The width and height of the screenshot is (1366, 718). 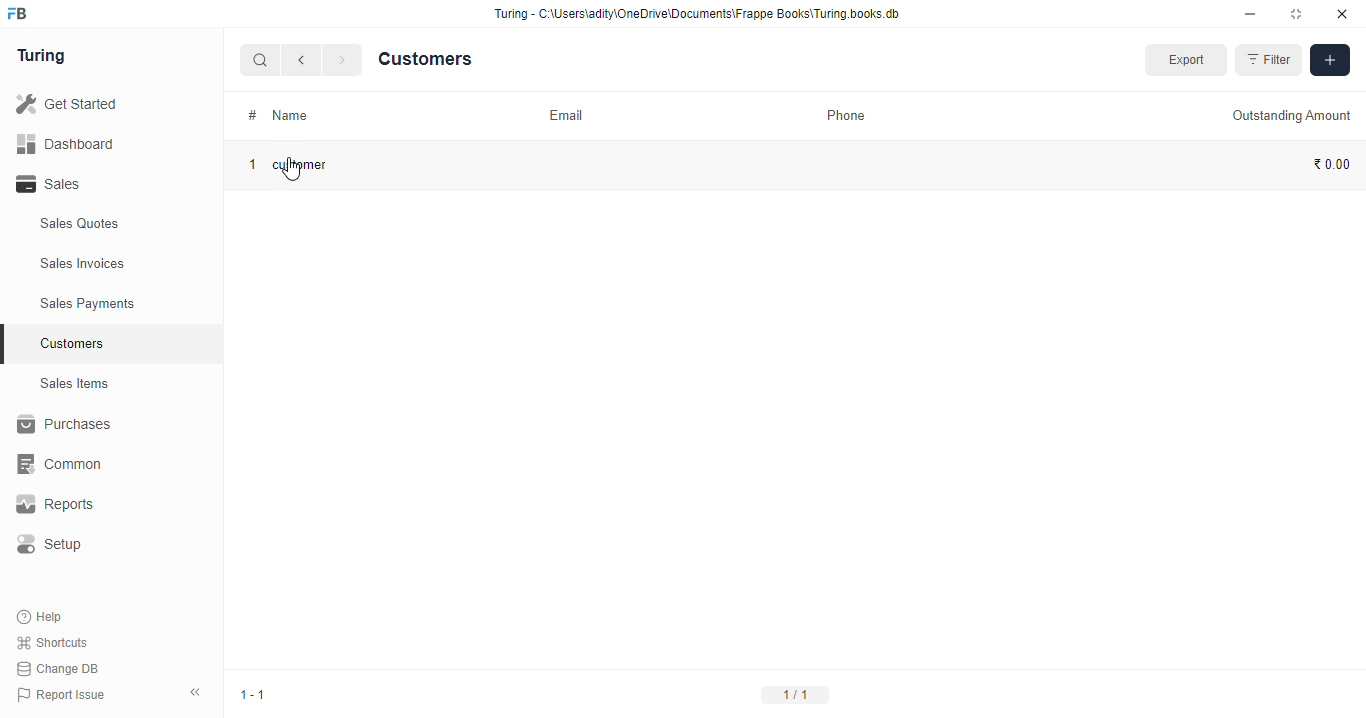 What do you see at coordinates (91, 505) in the screenshot?
I see `Reports` at bounding box center [91, 505].